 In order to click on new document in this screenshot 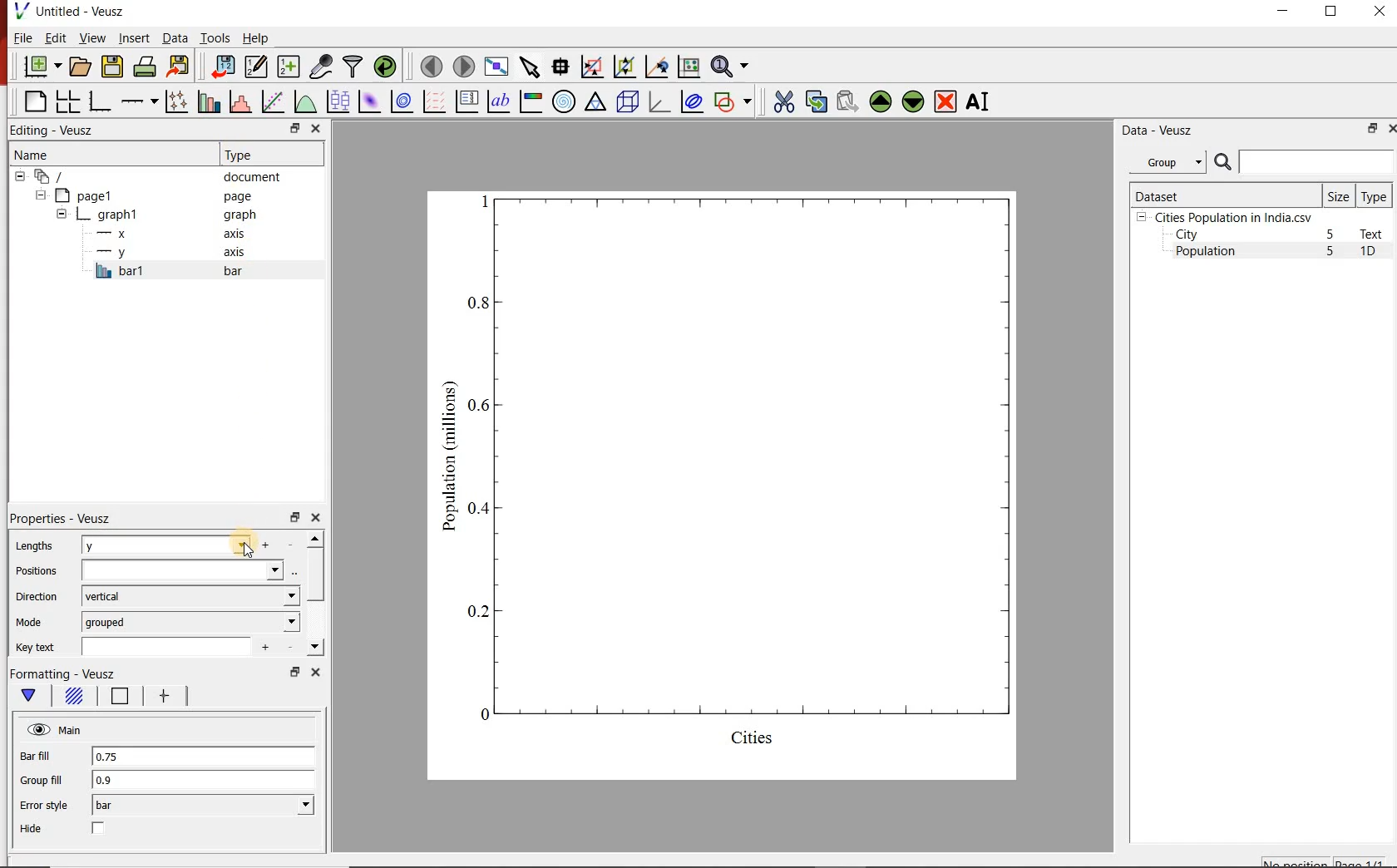, I will do `click(39, 67)`.